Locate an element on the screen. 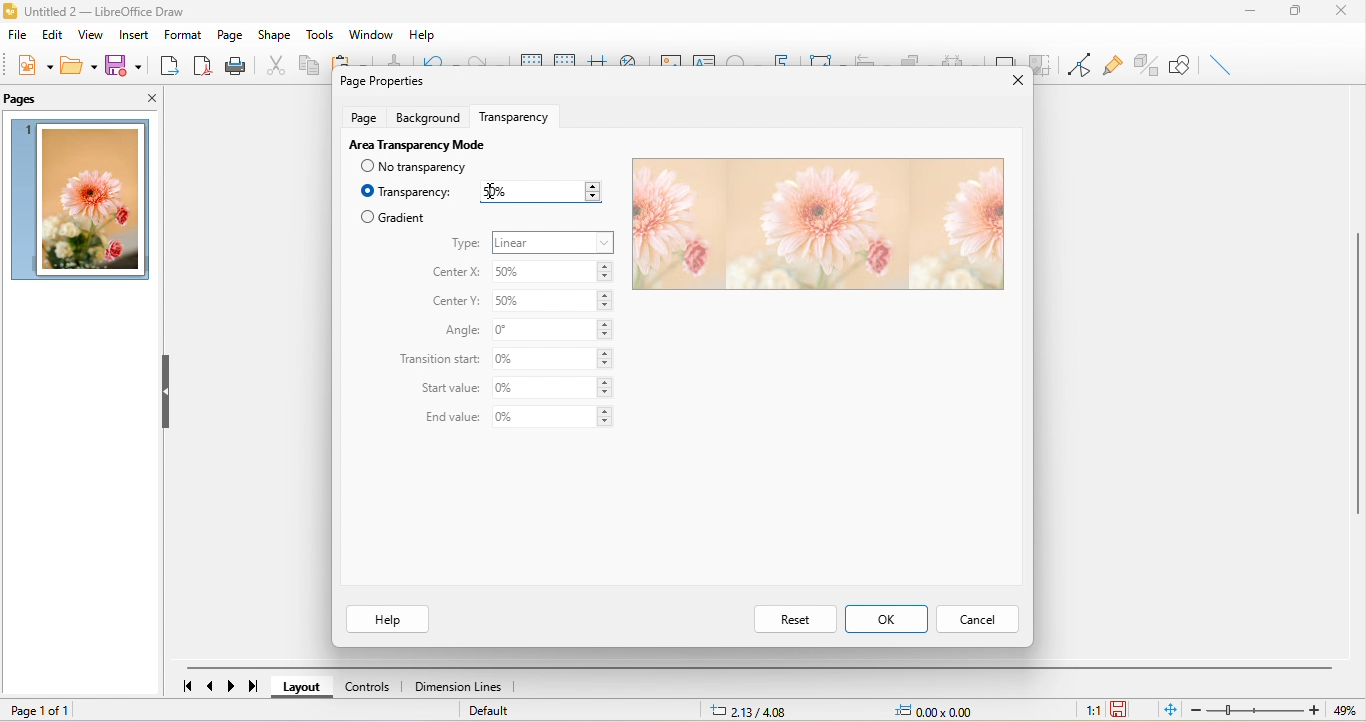 The width and height of the screenshot is (1366, 722). end value is located at coordinates (447, 418).